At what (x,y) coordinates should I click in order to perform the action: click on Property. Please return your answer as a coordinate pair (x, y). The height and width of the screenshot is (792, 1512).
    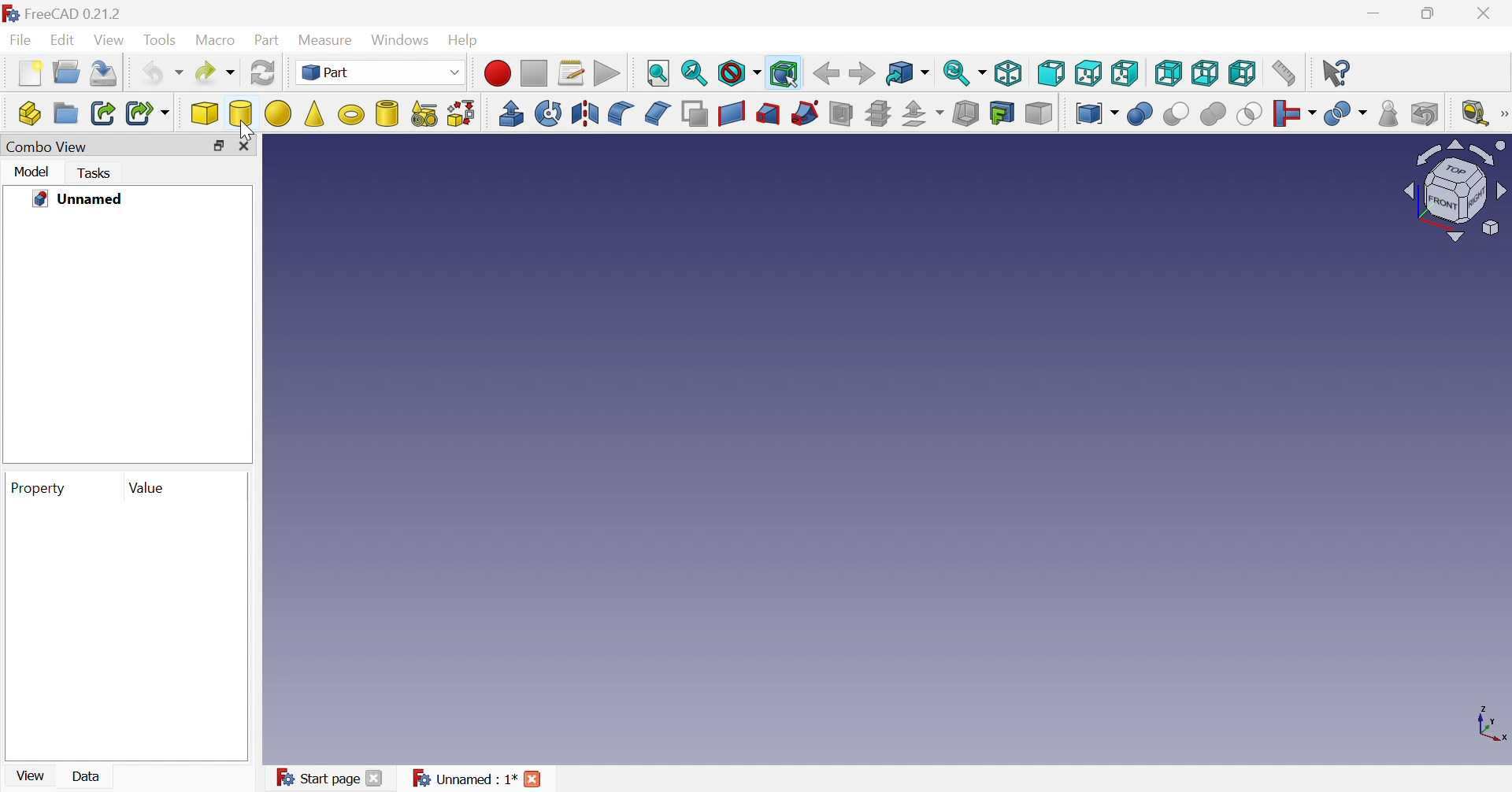
    Looking at the image, I should click on (41, 488).